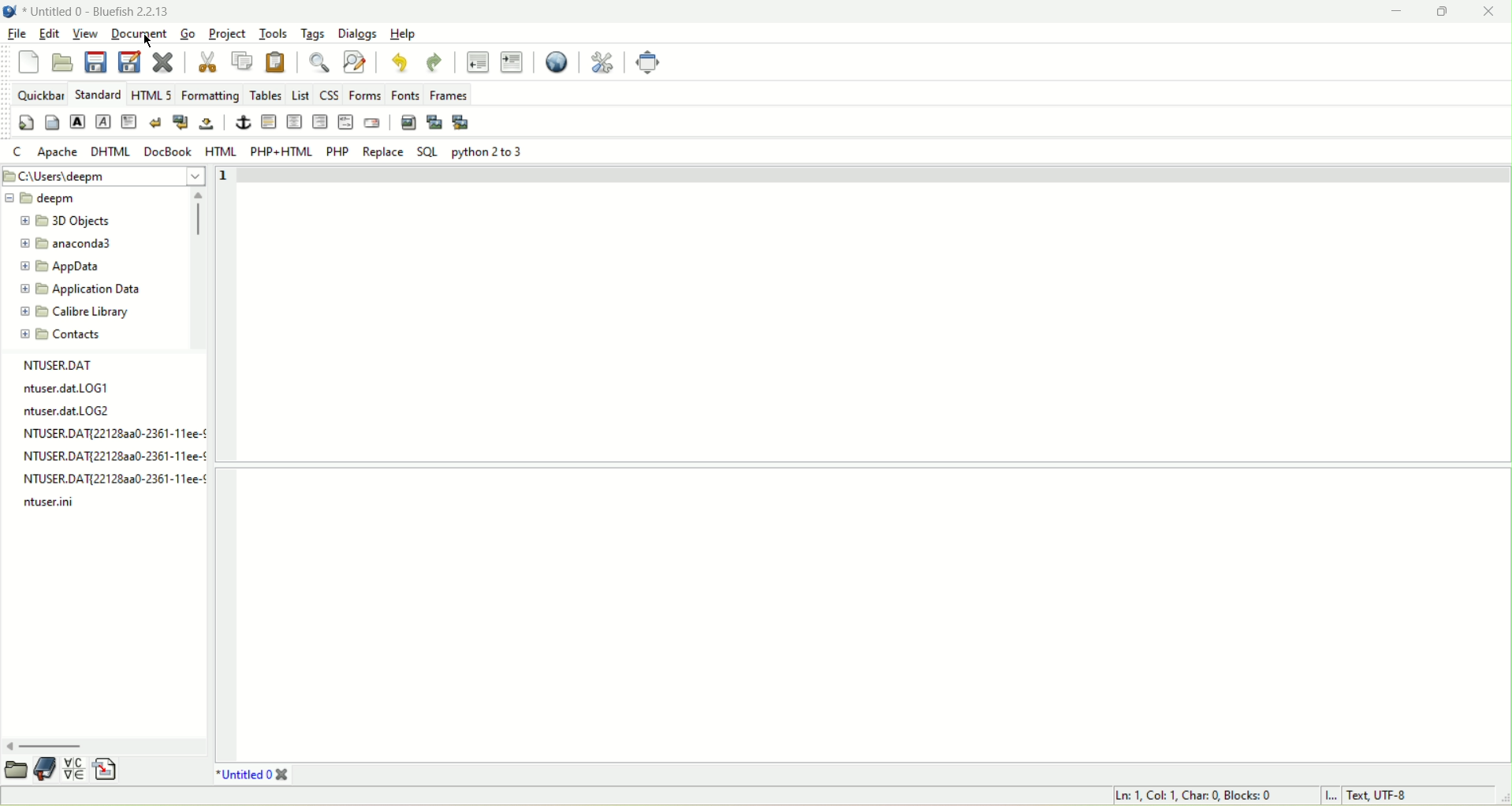  What do you see at coordinates (80, 289) in the screenshot?
I see `folder name` at bounding box center [80, 289].